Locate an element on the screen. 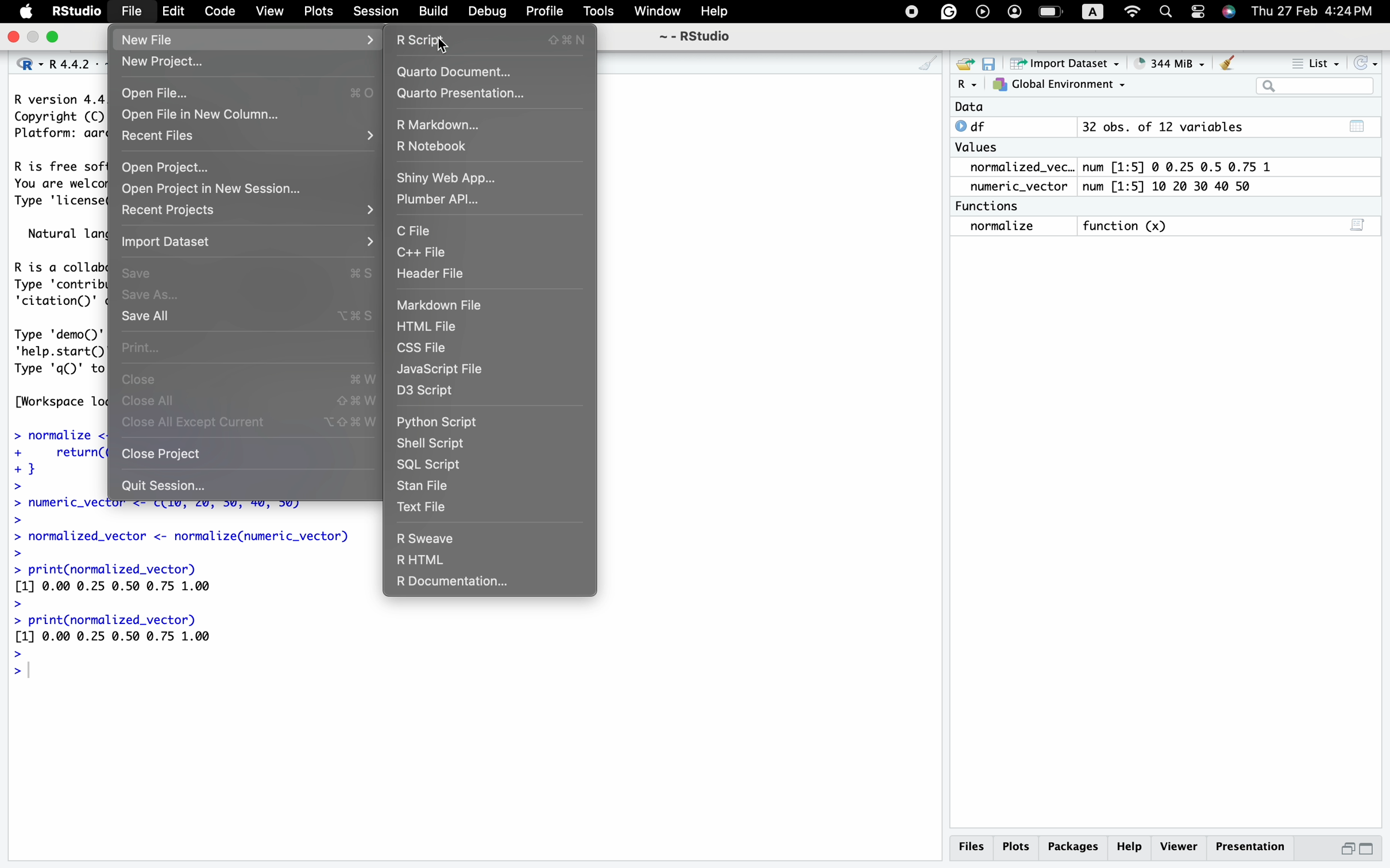 This screenshot has width=1390, height=868. C File is located at coordinates (415, 232).